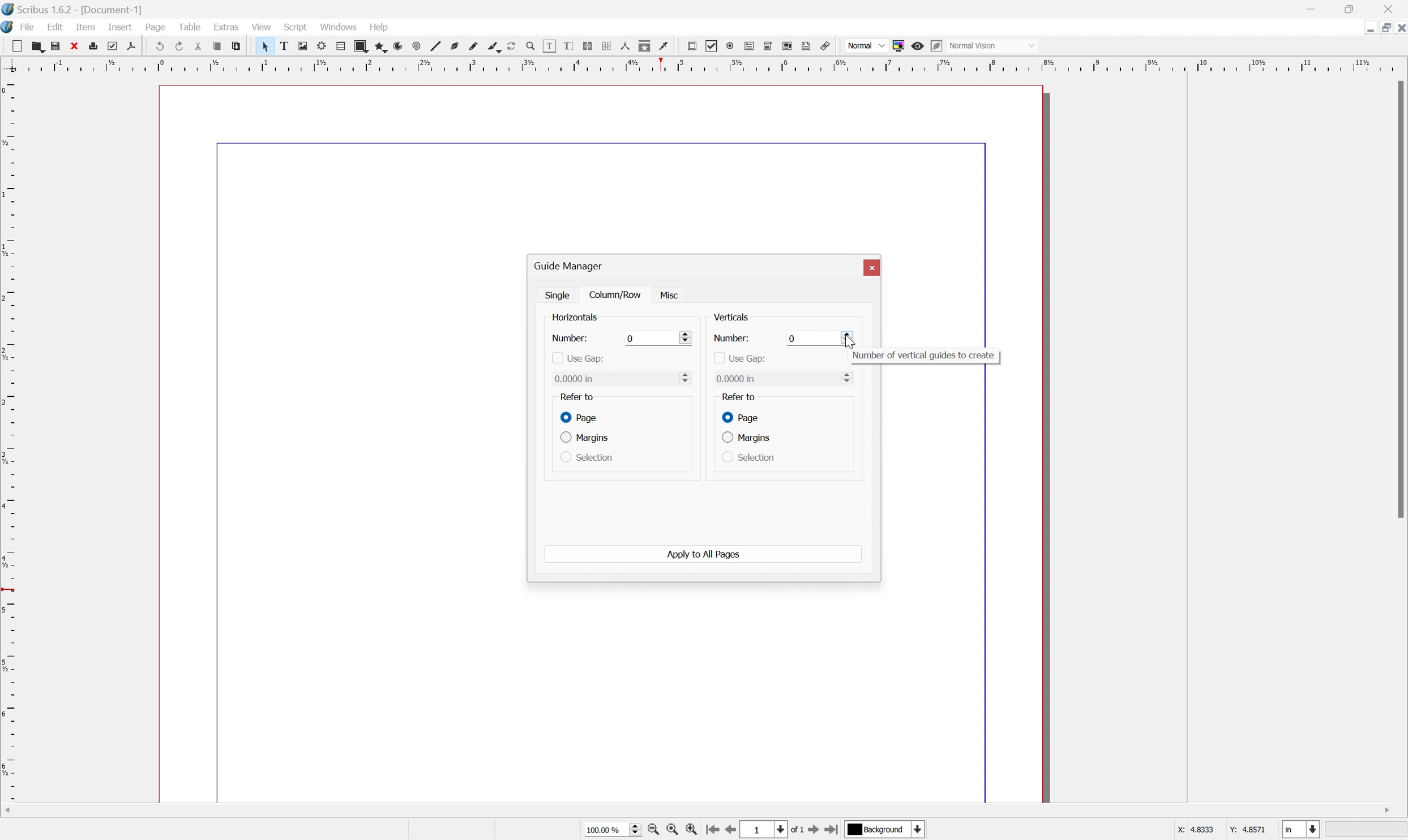 Image resolution: width=1408 pixels, height=840 pixels. I want to click on pdf push button, so click(693, 46).